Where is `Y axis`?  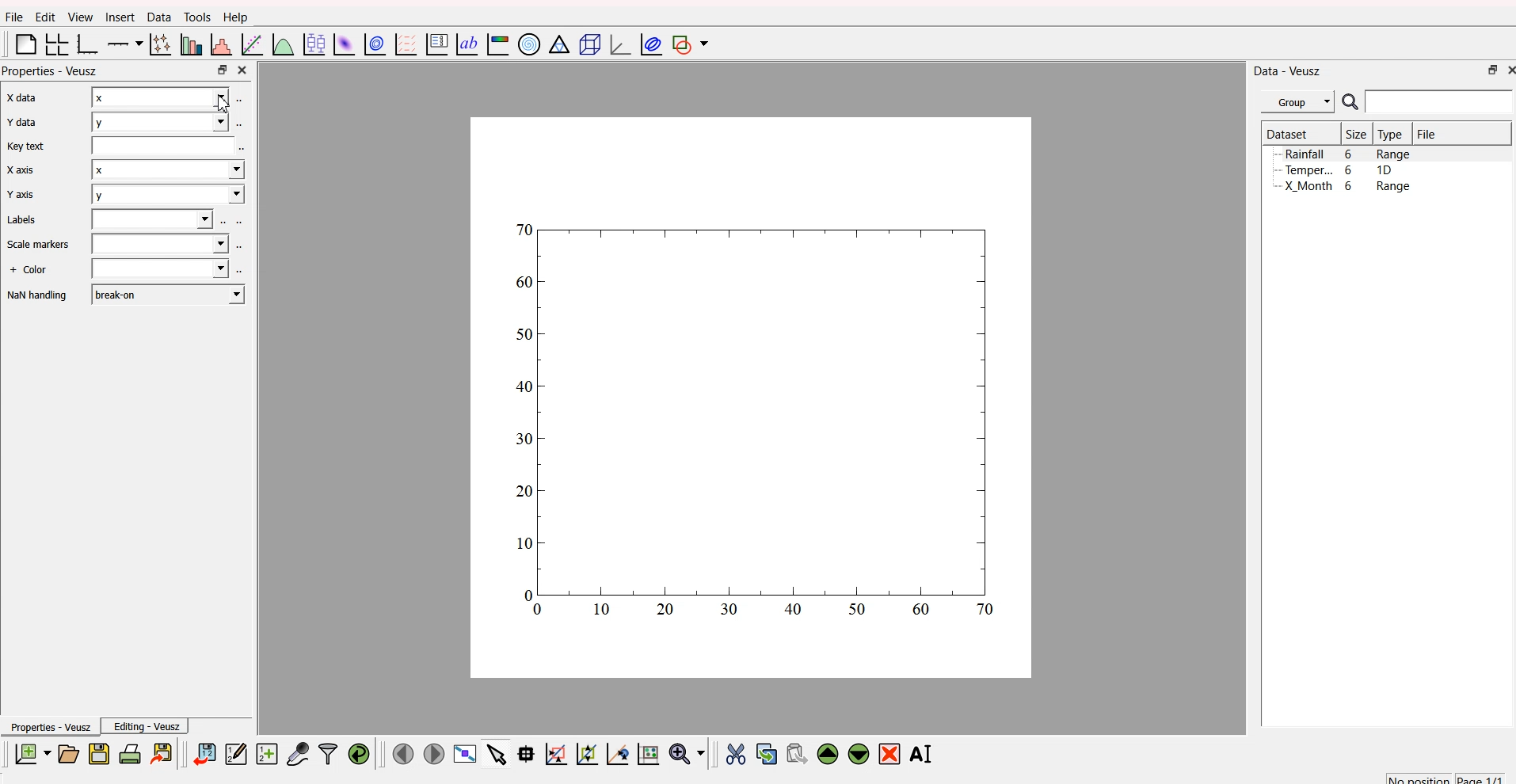 Y axis is located at coordinates (20, 196).